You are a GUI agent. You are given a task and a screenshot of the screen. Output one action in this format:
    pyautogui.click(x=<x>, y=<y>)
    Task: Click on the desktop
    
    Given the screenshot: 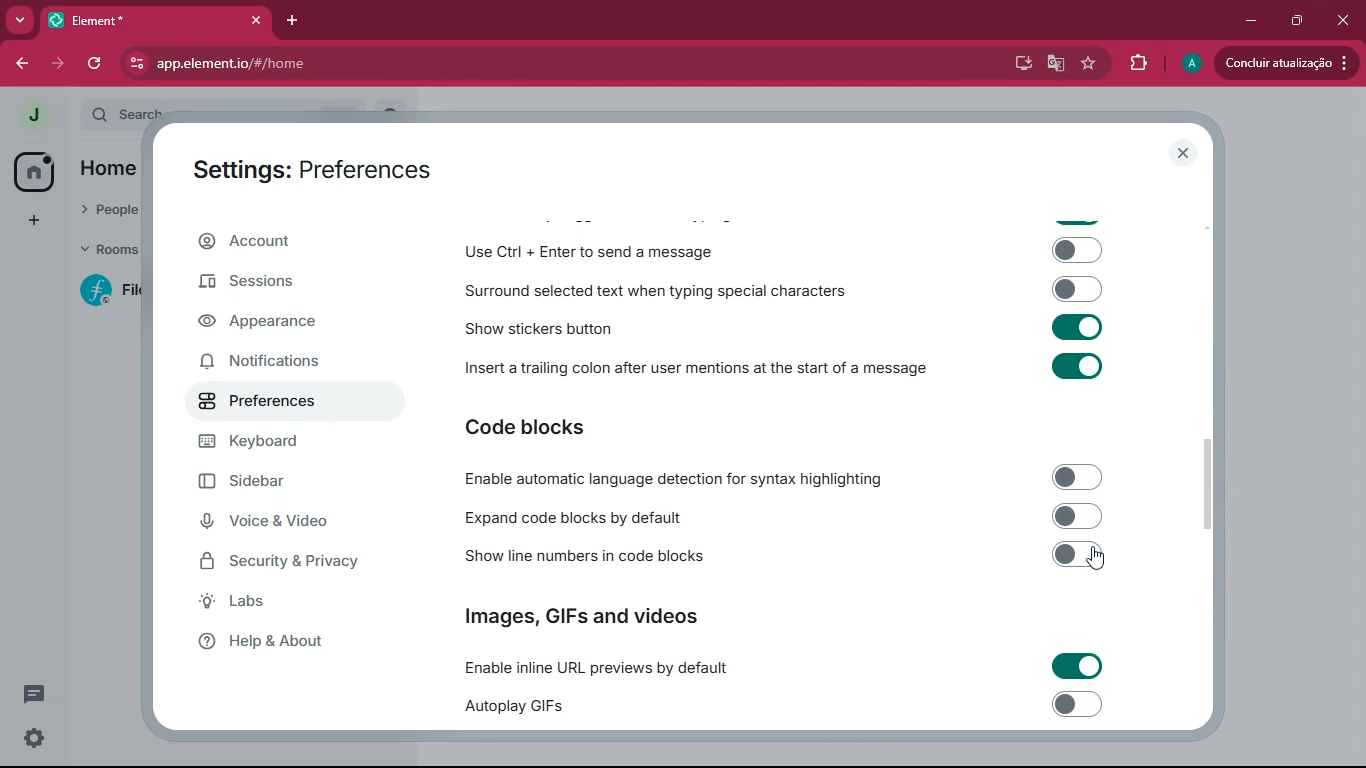 What is the action you would take?
    pyautogui.click(x=1017, y=64)
    